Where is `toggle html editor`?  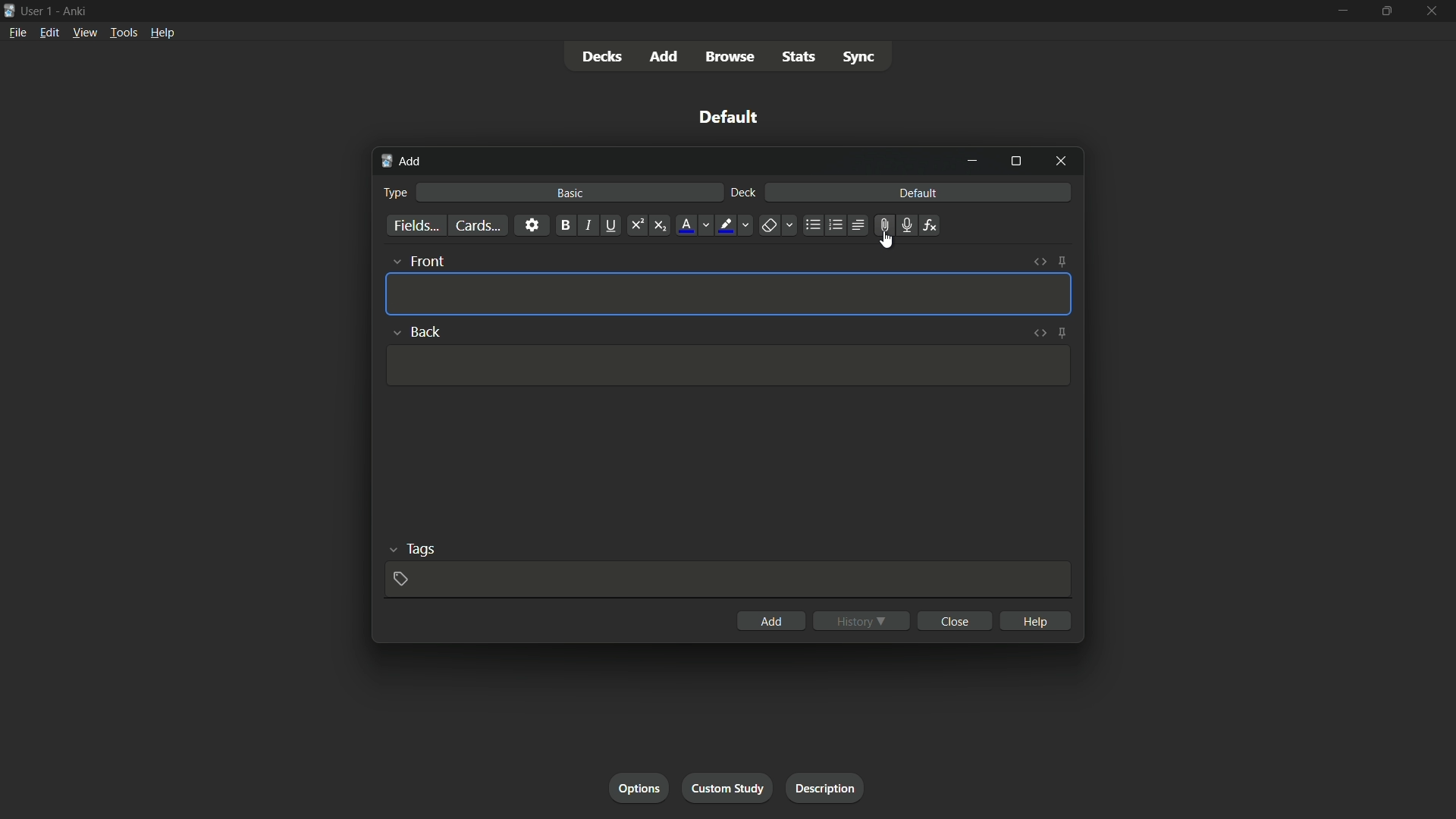 toggle html editor is located at coordinates (1039, 332).